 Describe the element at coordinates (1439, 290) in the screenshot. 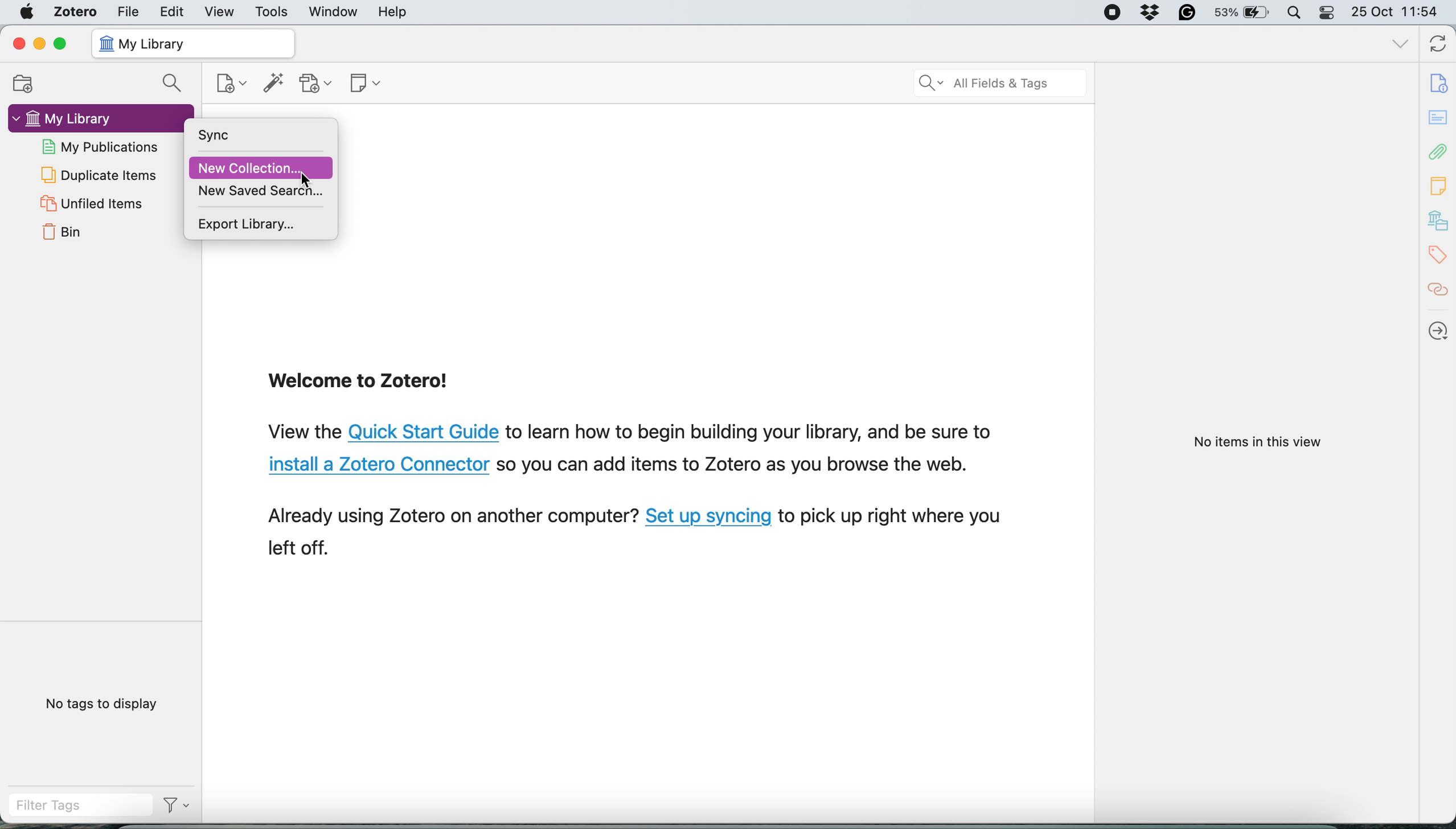

I see `citations` at that location.